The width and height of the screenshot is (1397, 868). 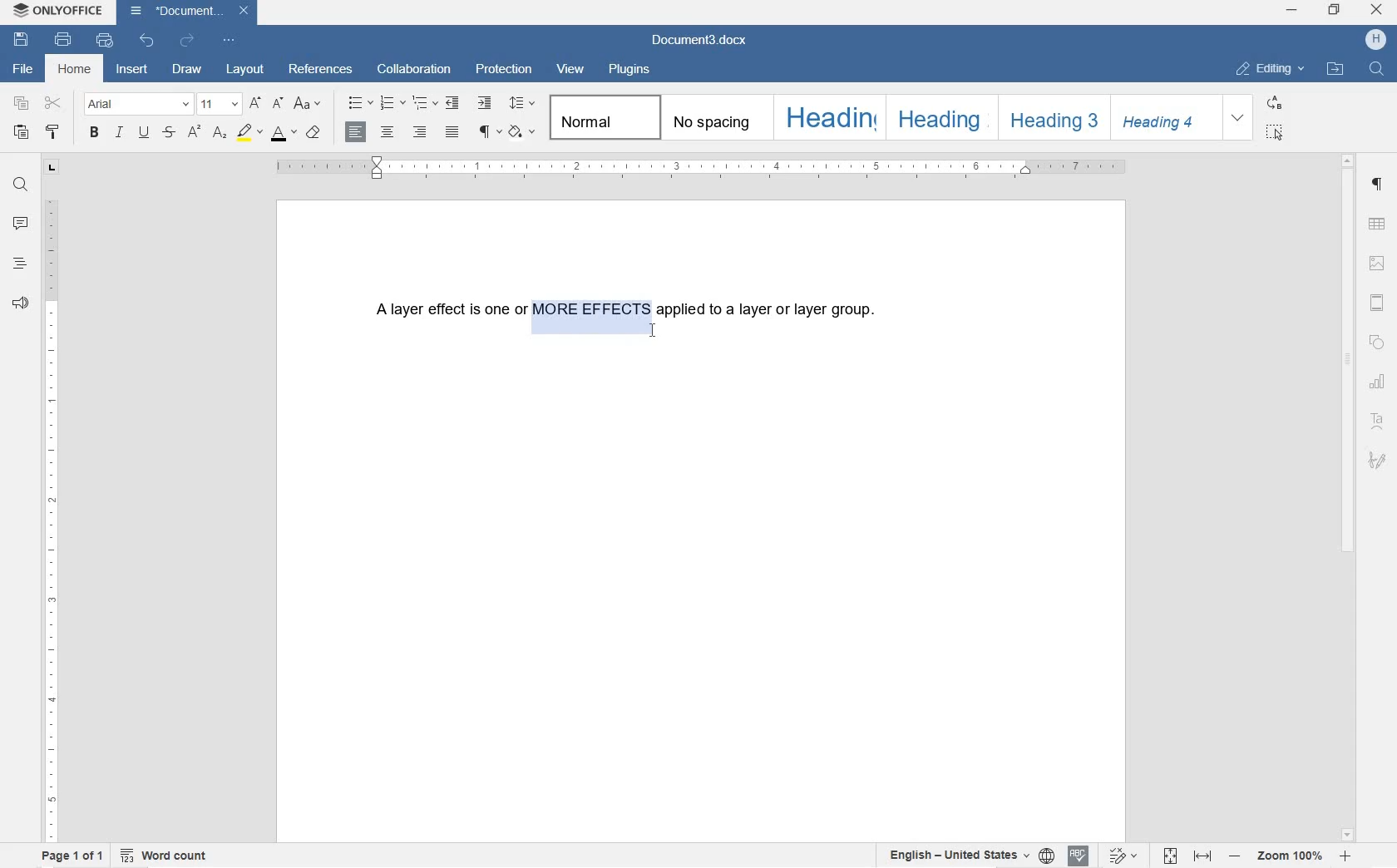 What do you see at coordinates (72, 856) in the screenshot?
I see `PAGE 1 OF 1` at bounding box center [72, 856].